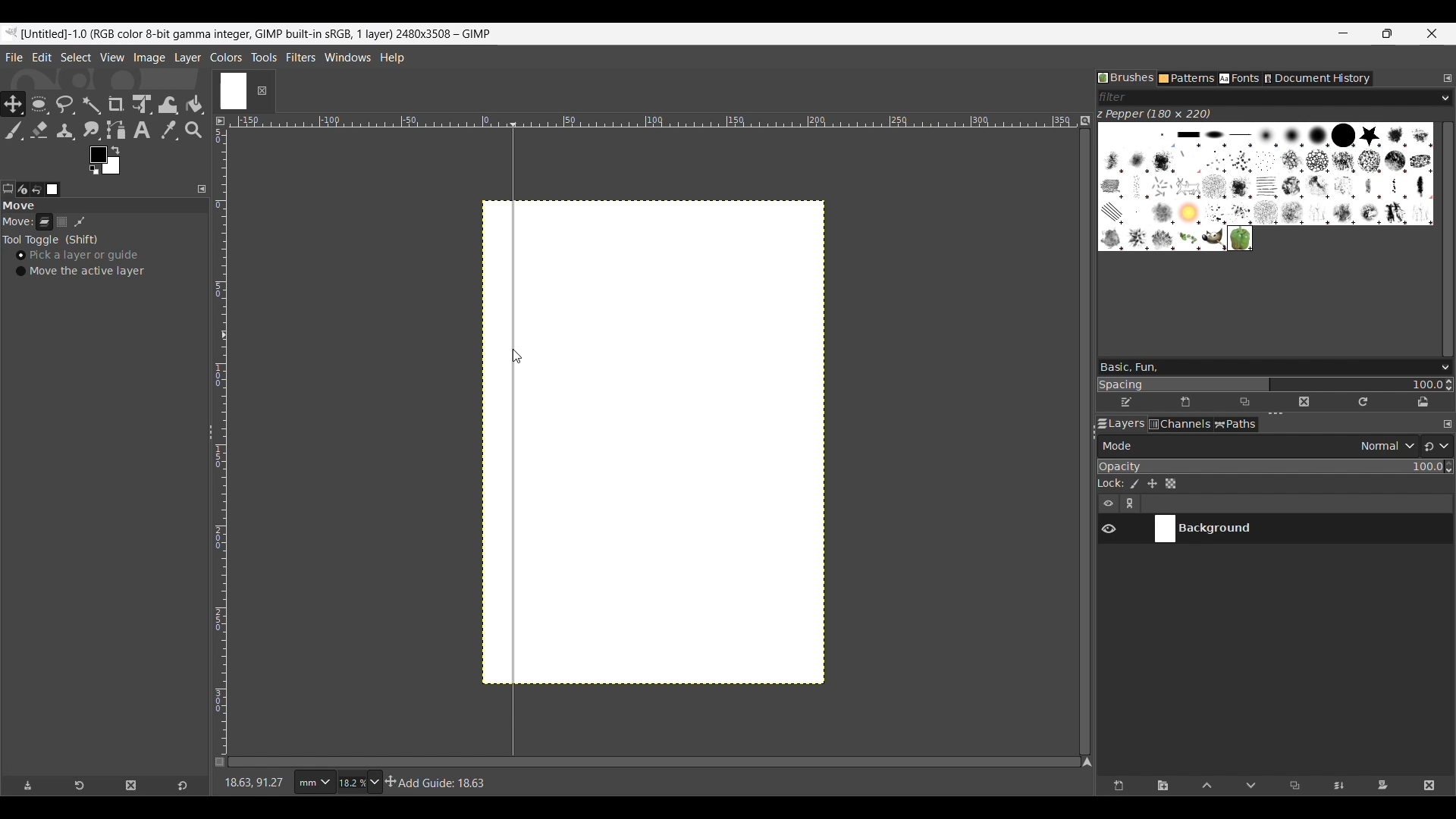 The image size is (1456, 819). Describe the element at coordinates (1448, 239) in the screenshot. I see `Vertical slide bar` at that location.